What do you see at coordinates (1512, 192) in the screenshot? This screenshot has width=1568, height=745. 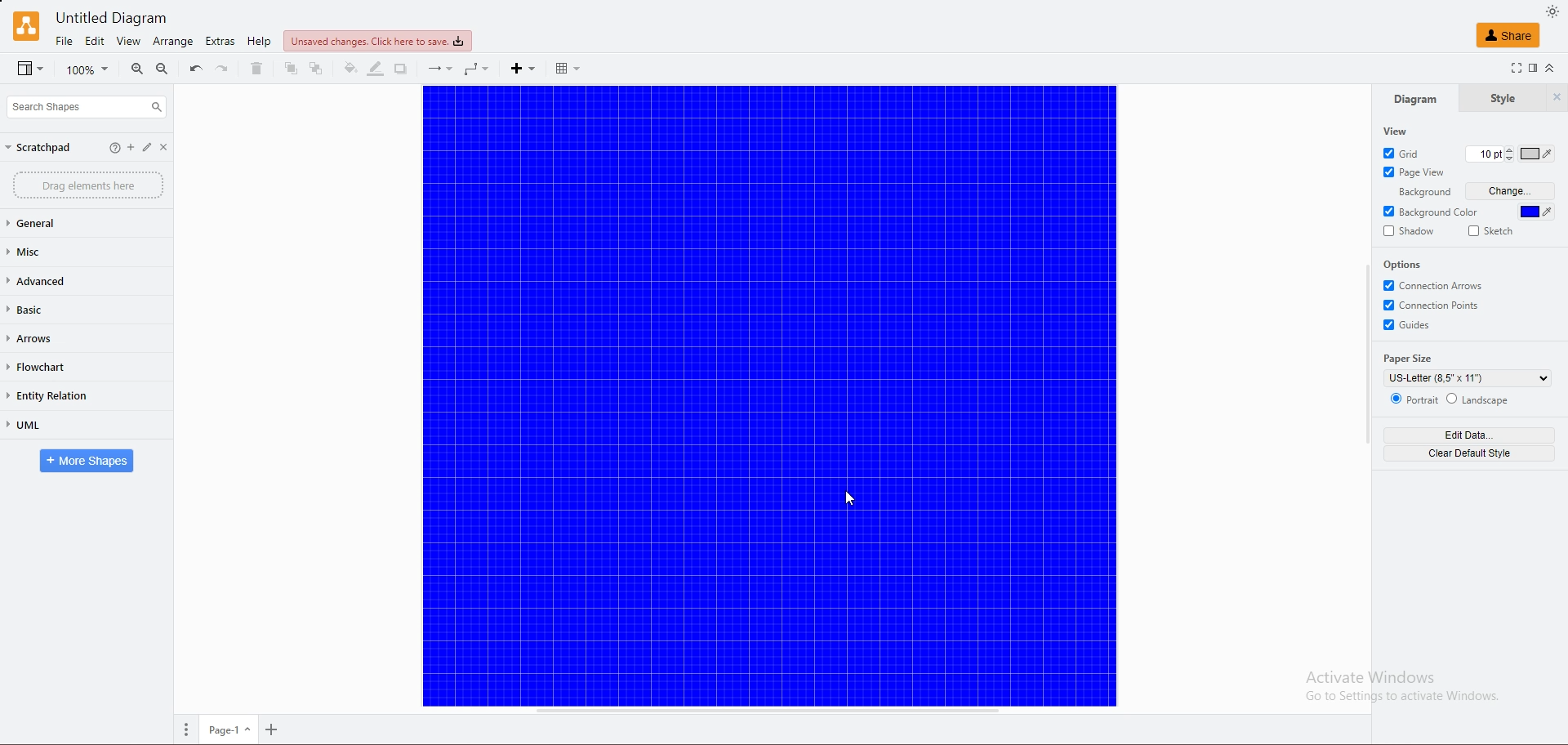 I see `change` at bounding box center [1512, 192].